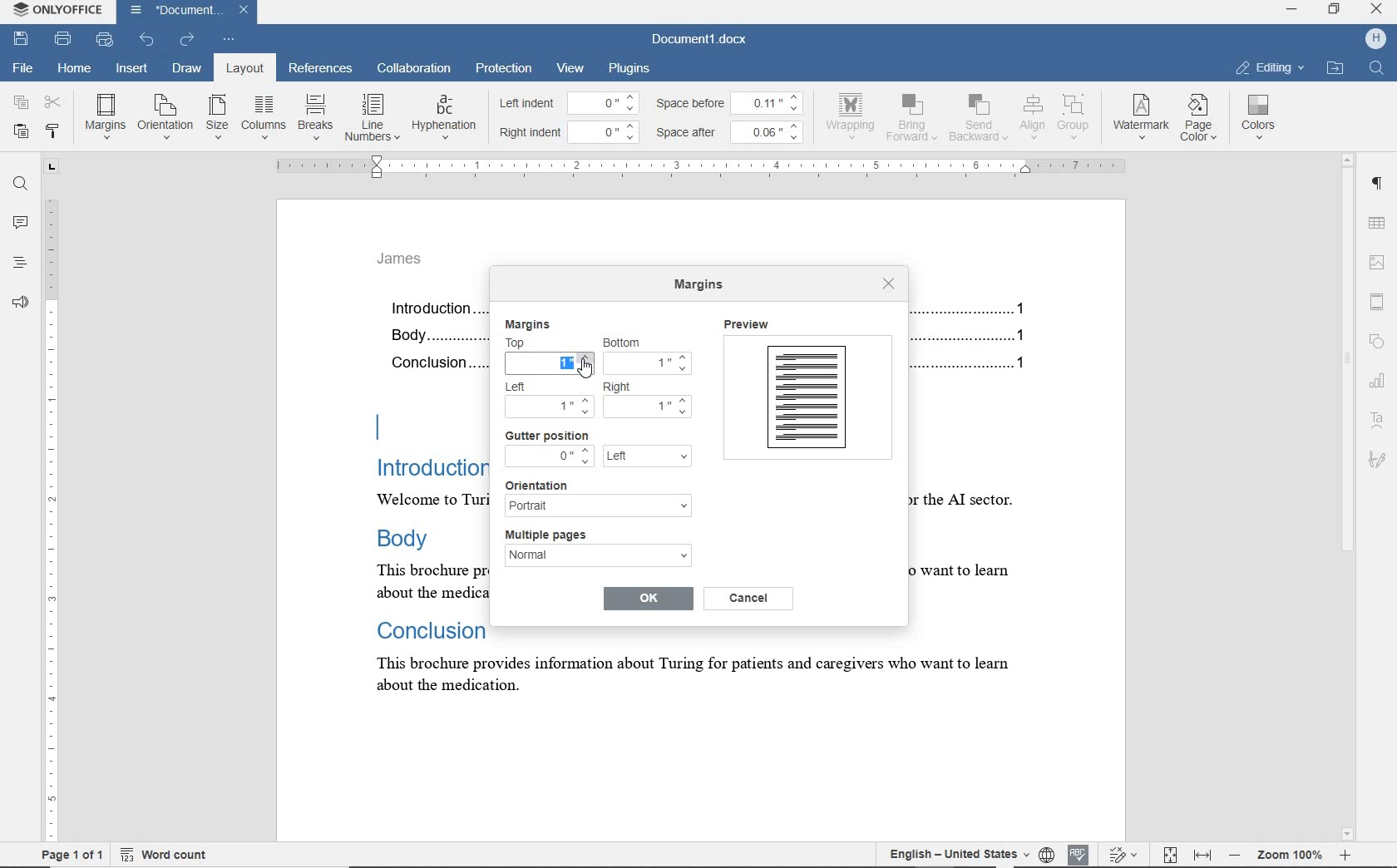  What do you see at coordinates (1374, 38) in the screenshot?
I see `profile` at bounding box center [1374, 38].